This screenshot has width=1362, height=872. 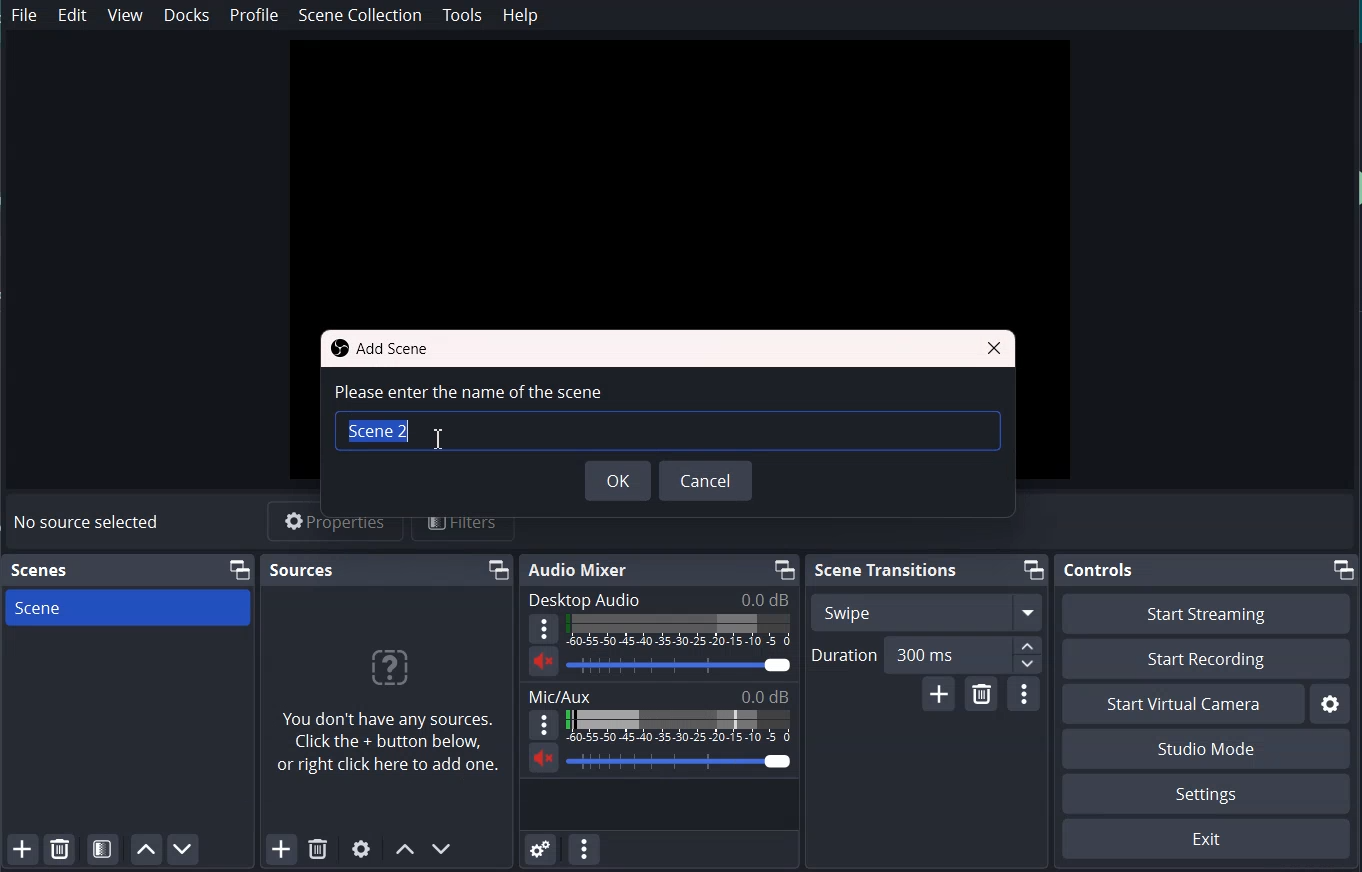 What do you see at coordinates (543, 628) in the screenshot?
I see `More` at bounding box center [543, 628].